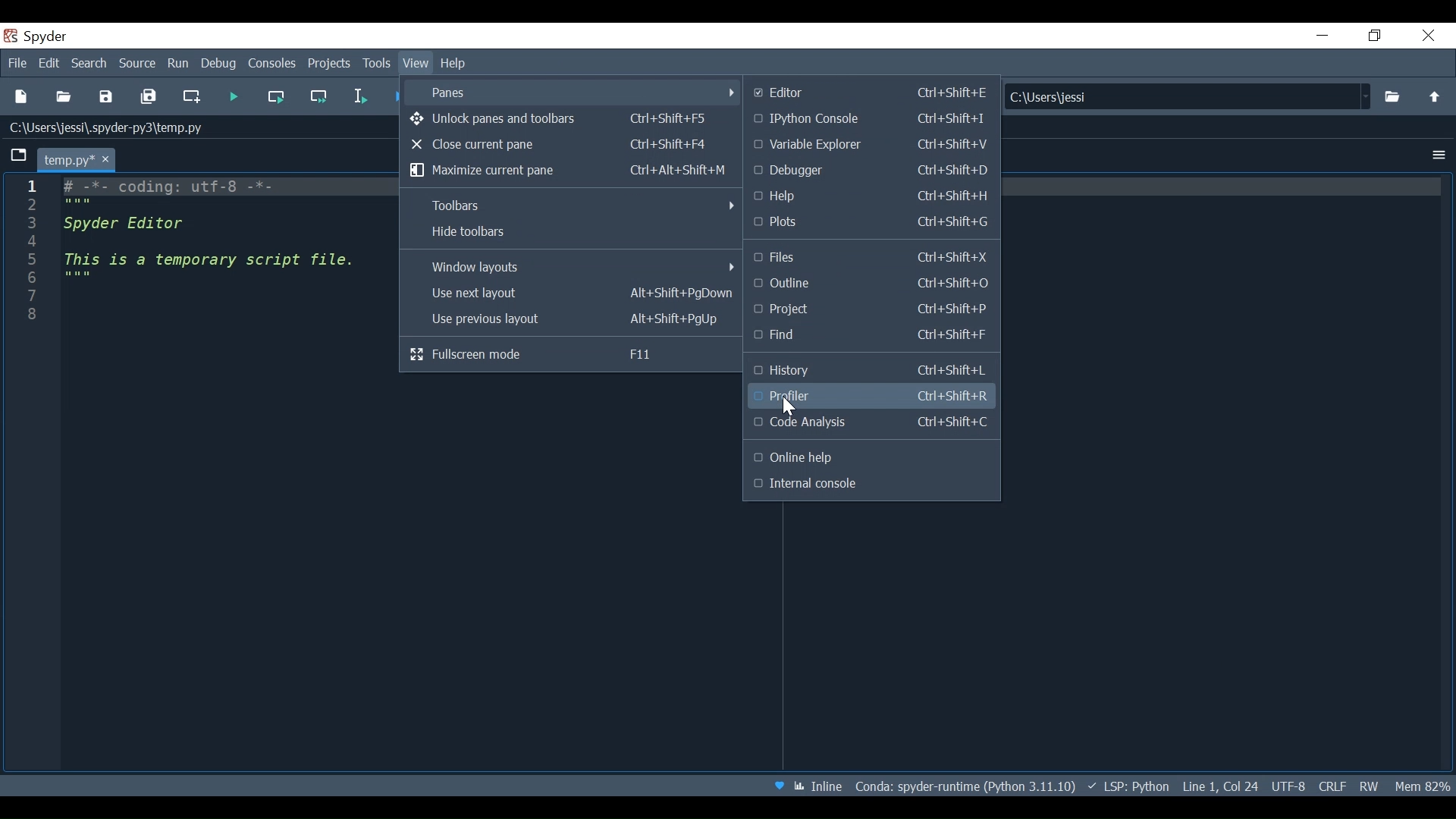 The image size is (1456, 819). What do you see at coordinates (1439, 155) in the screenshot?
I see `Options` at bounding box center [1439, 155].